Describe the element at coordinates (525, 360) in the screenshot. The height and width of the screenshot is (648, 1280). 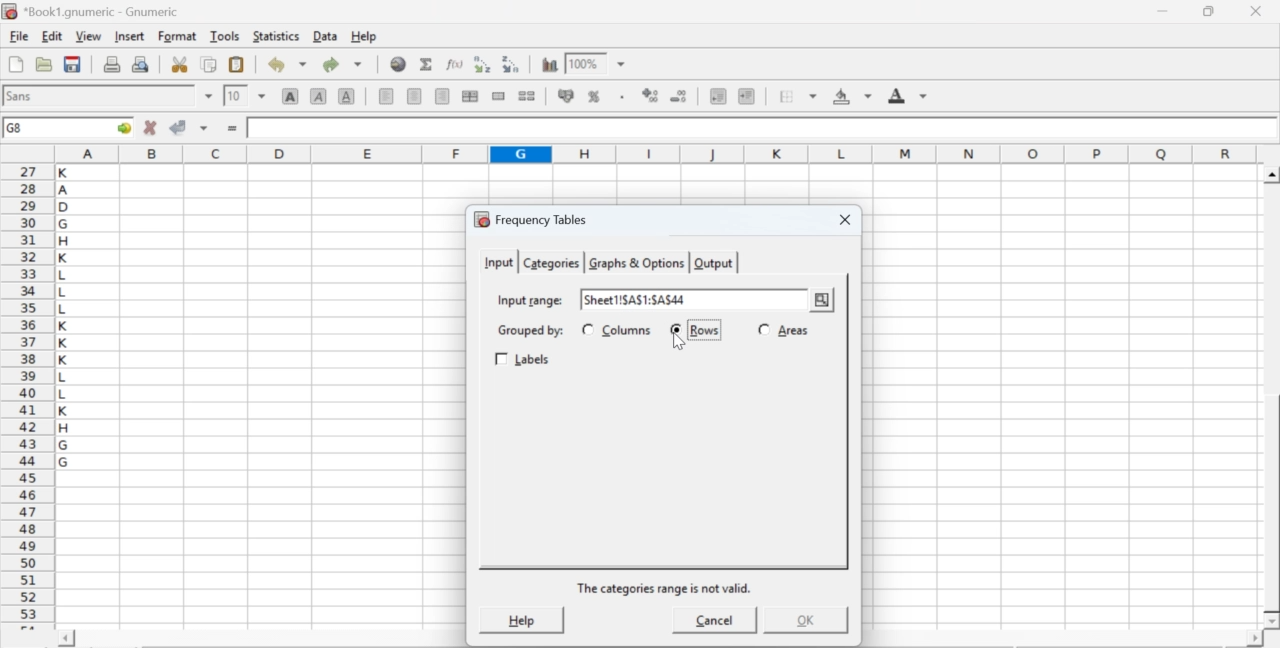
I see `labels` at that location.